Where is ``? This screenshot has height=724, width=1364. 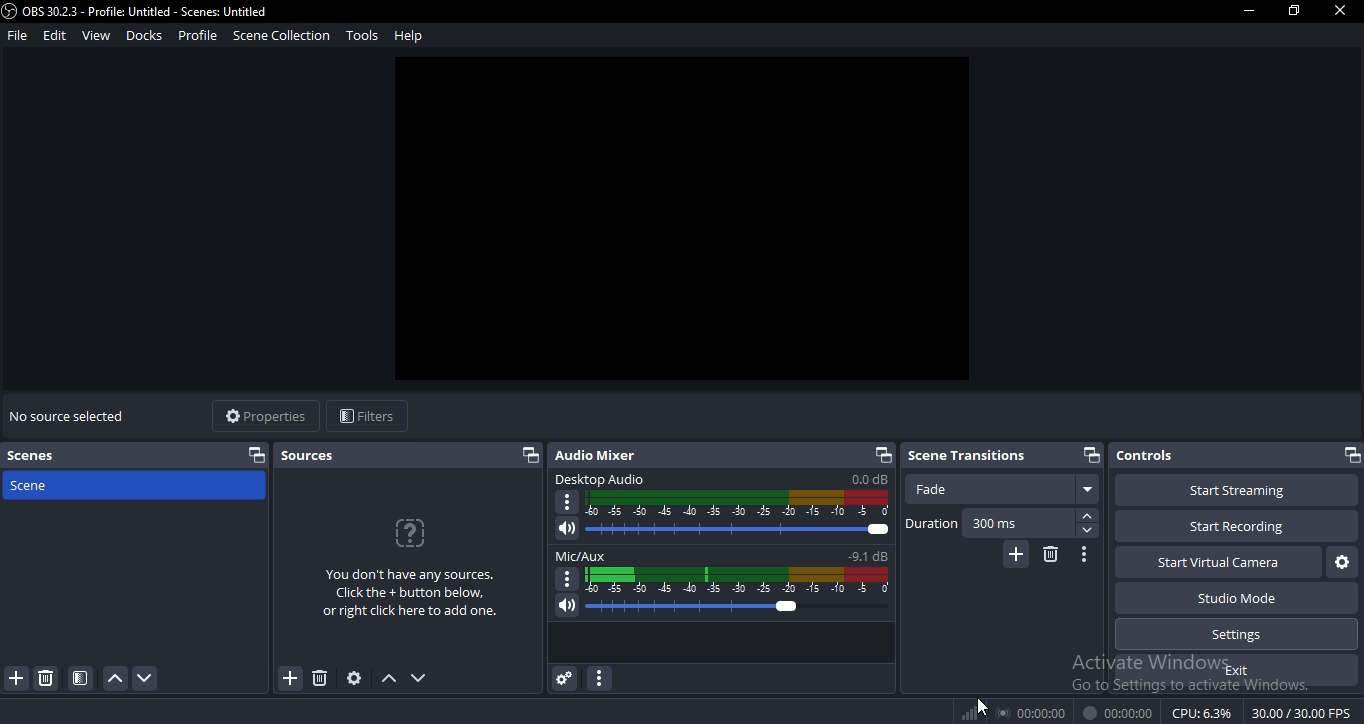
 is located at coordinates (1085, 555).